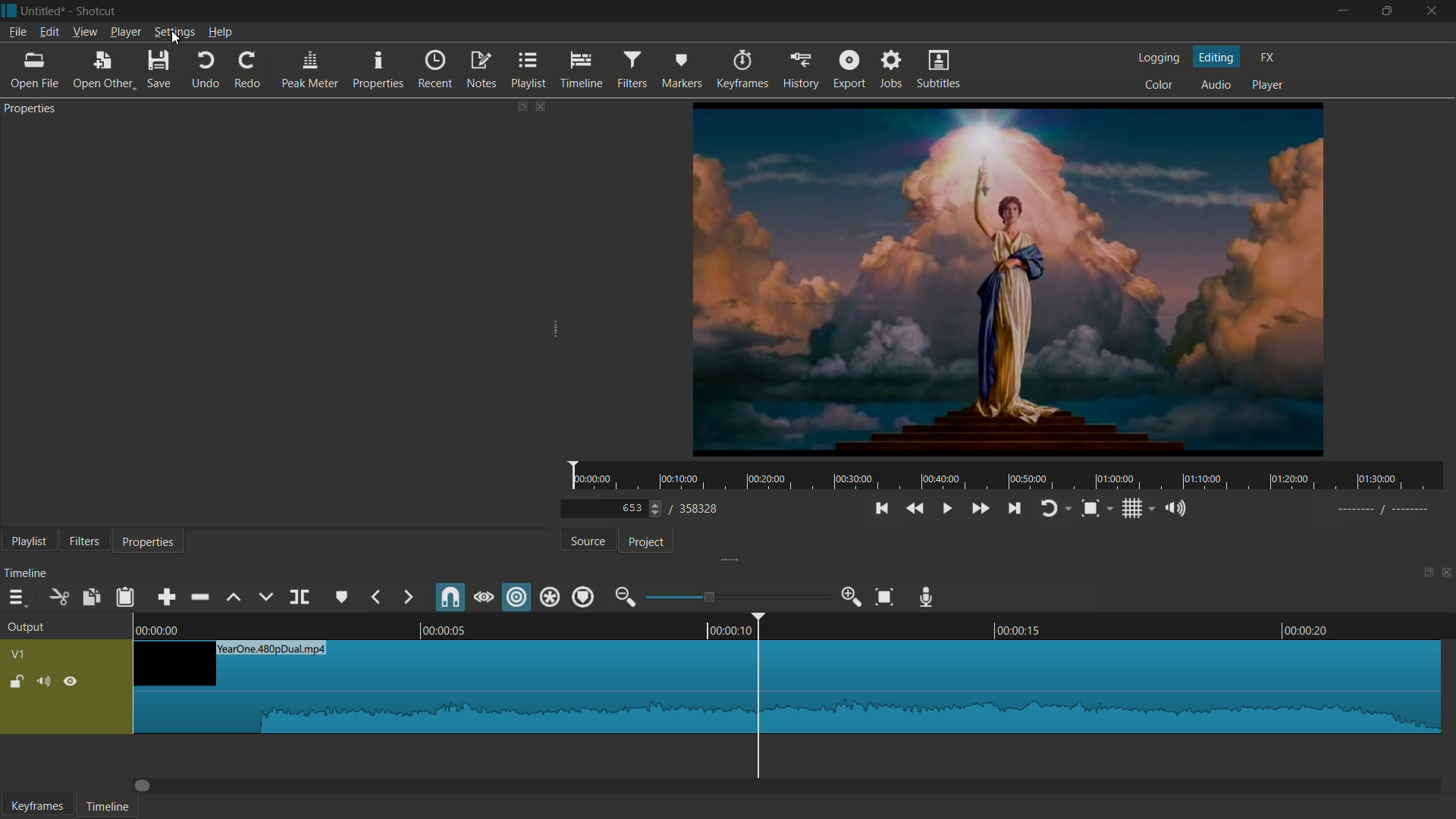  I want to click on create or edit marker, so click(342, 597).